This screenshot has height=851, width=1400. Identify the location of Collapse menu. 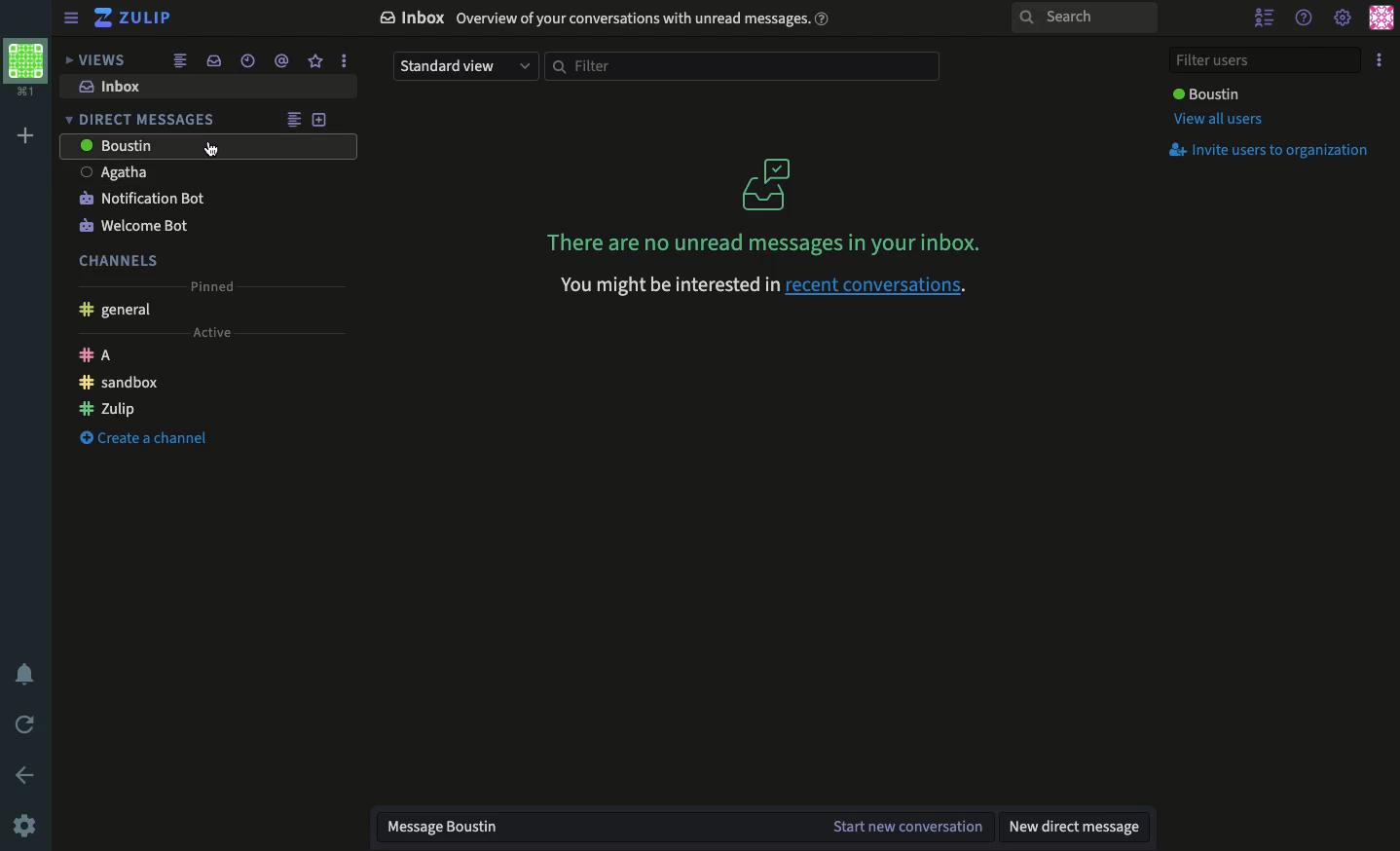
(73, 19).